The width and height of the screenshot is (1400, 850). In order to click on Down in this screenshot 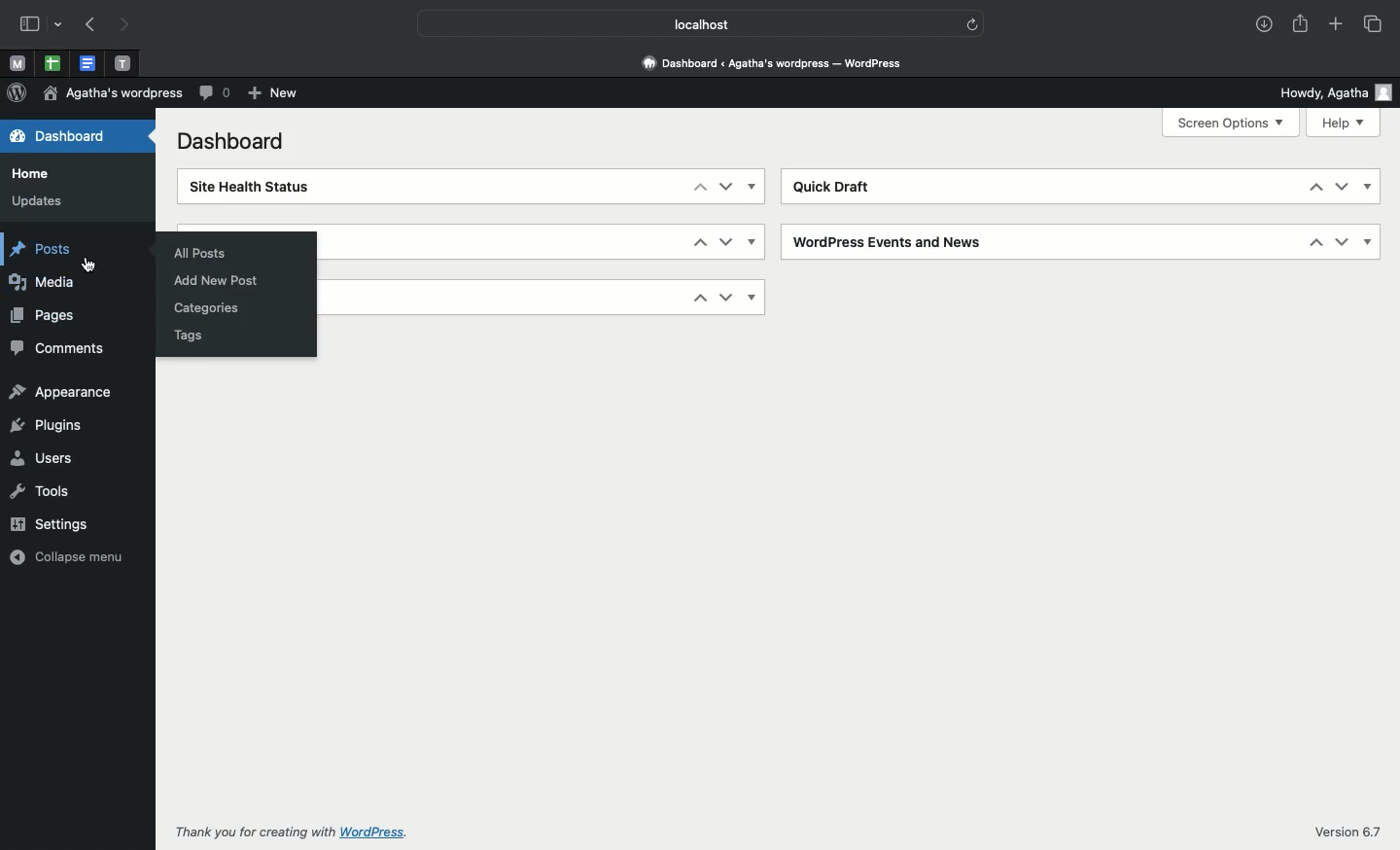, I will do `click(726, 297)`.